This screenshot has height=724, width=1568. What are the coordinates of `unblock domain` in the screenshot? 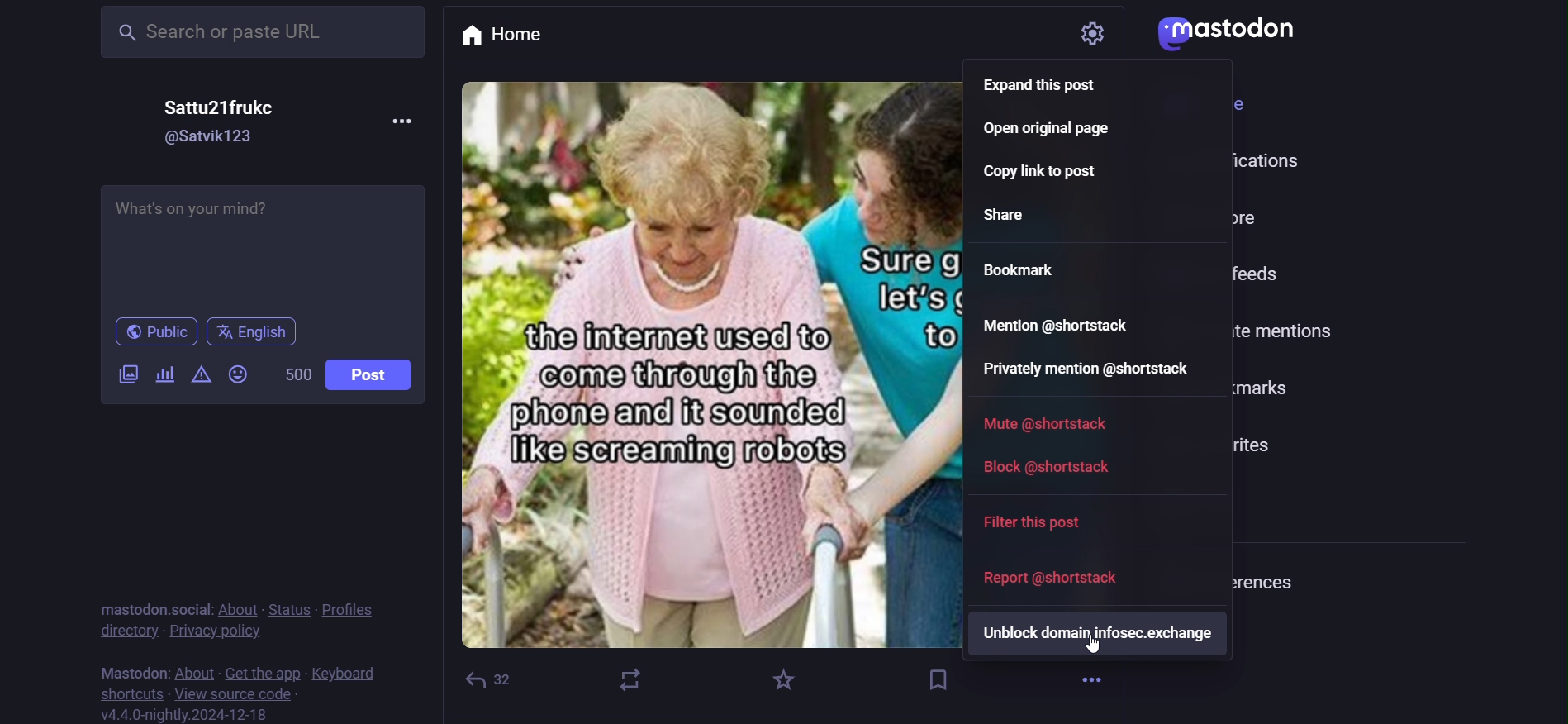 It's located at (1098, 636).